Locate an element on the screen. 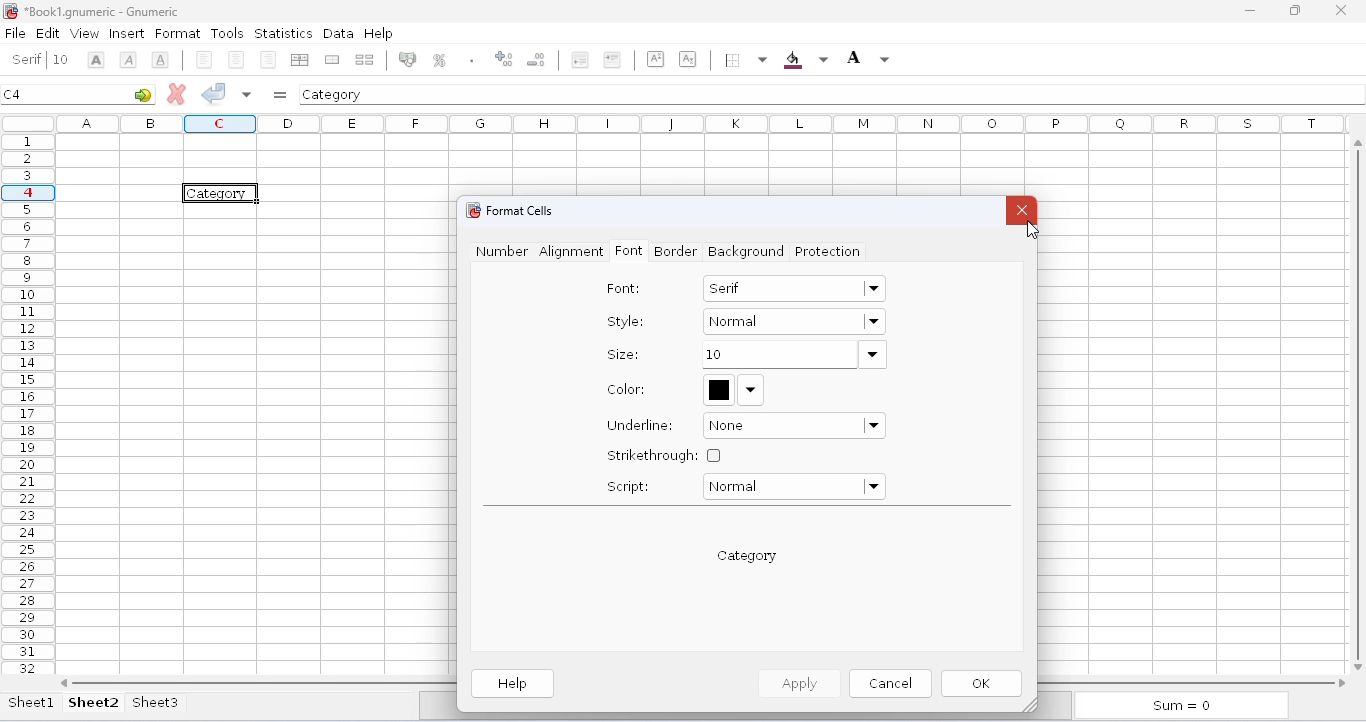  superscript is located at coordinates (693, 59).